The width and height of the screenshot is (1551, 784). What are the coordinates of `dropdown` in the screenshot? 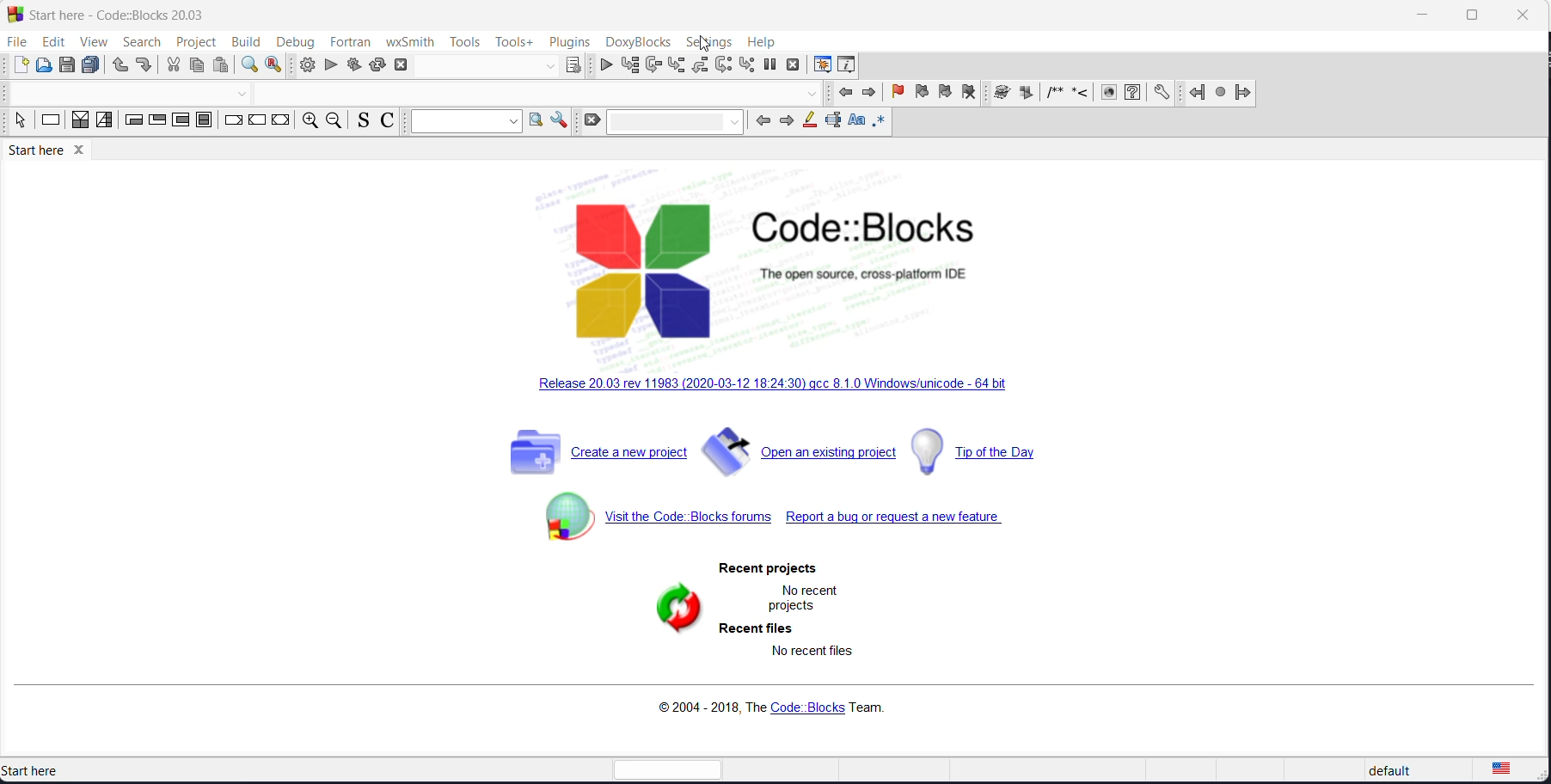 It's located at (673, 122).